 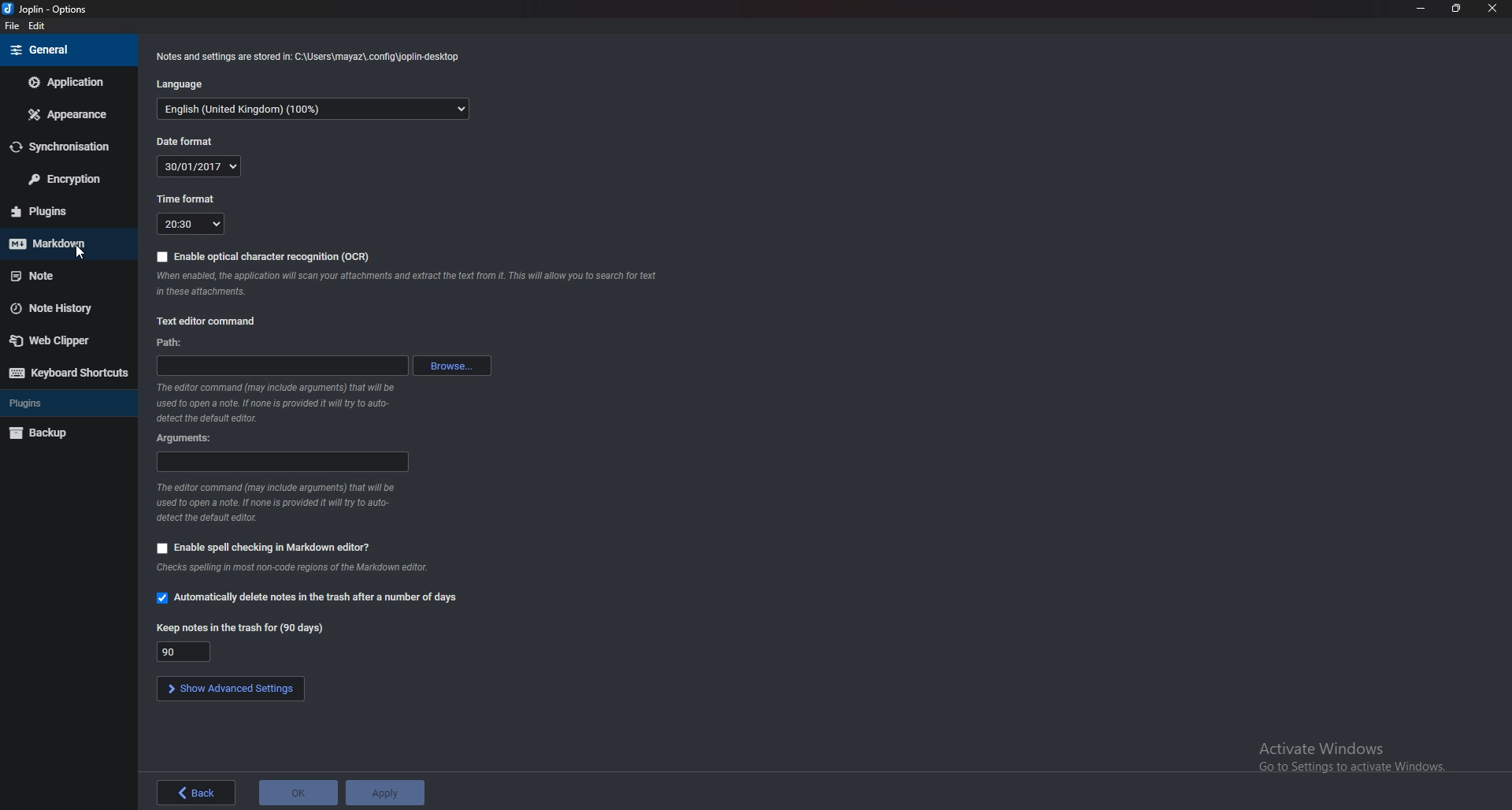 I want to click on info, so click(x=310, y=567).